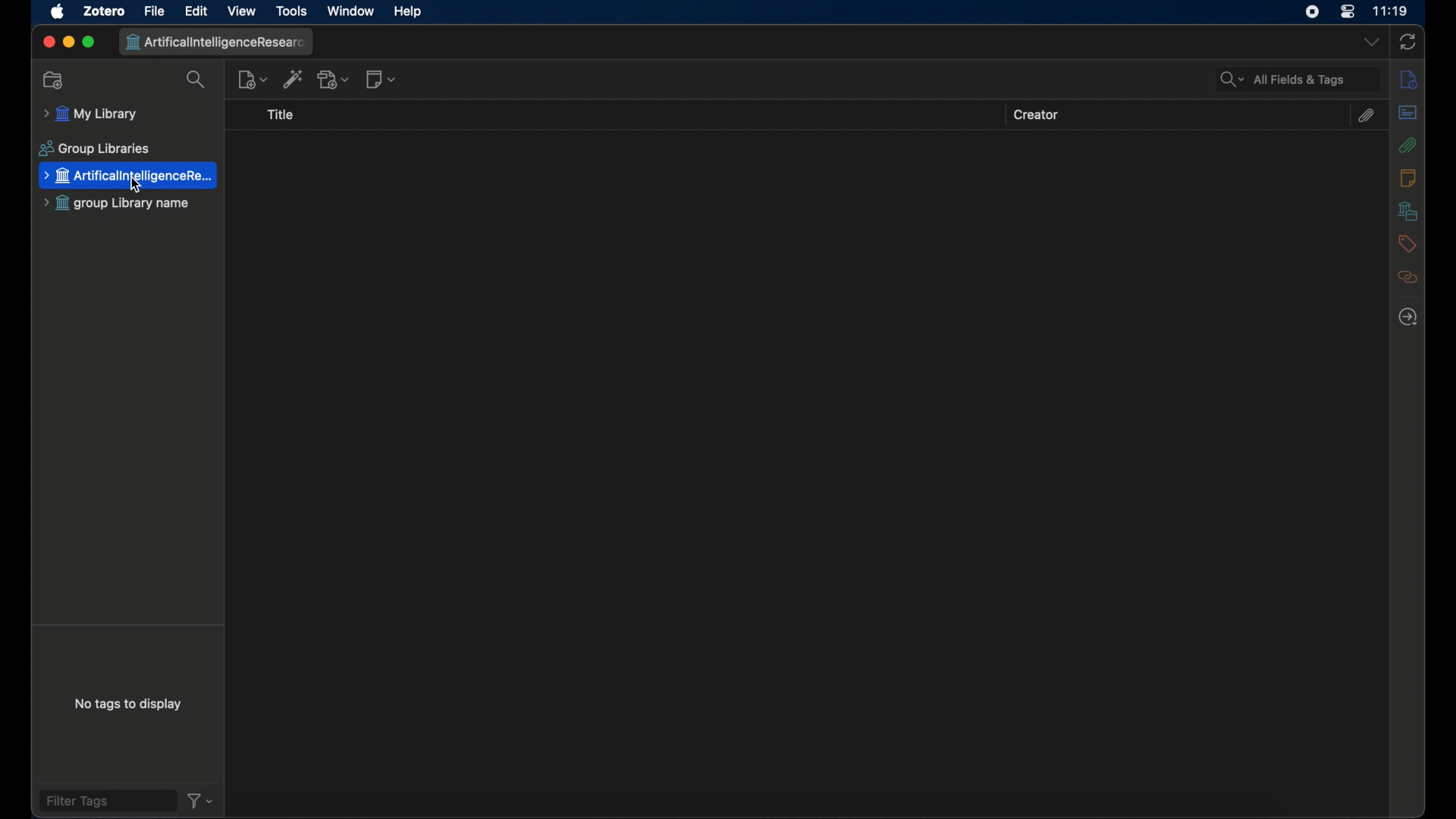 Image resolution: width=1456 pixels, height=819 pixels. Describe the element at coordinates (131, 704) in the screenshot. I see `no tags to display` at that location.